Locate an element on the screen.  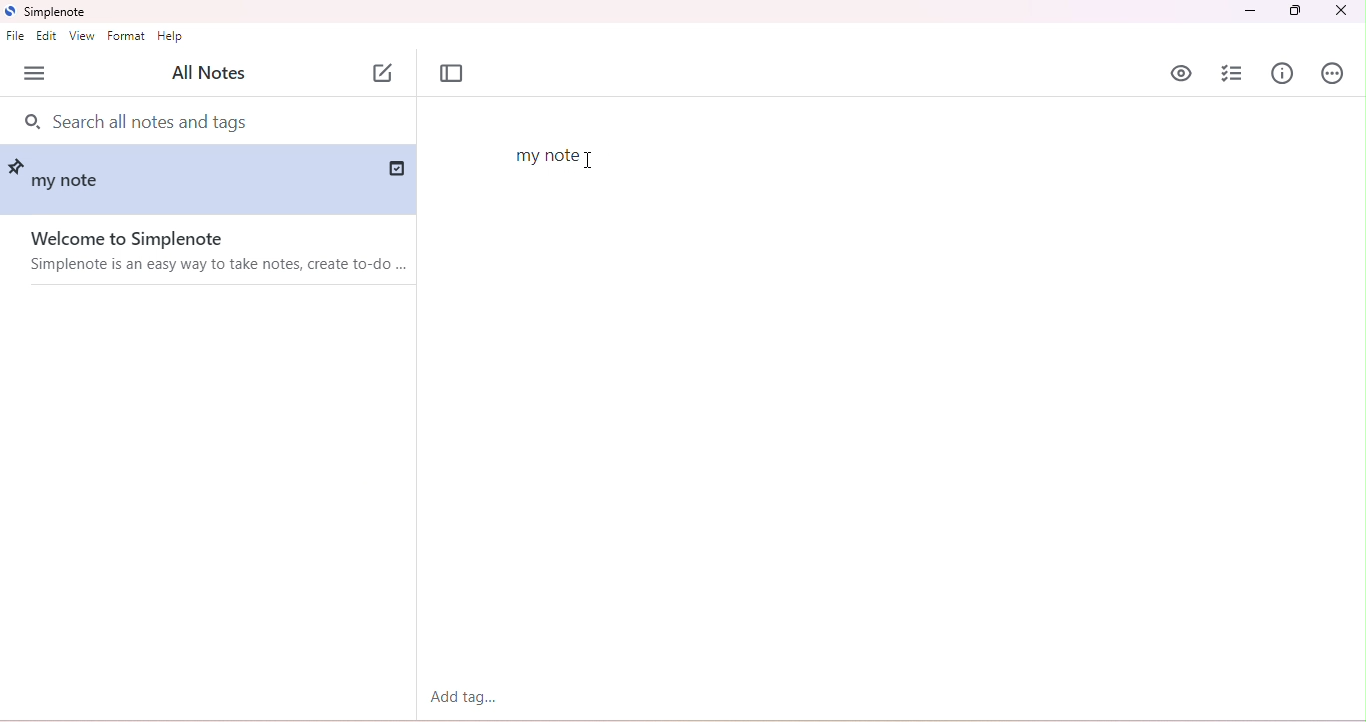
maximize is located at coordinates (1296, 11).